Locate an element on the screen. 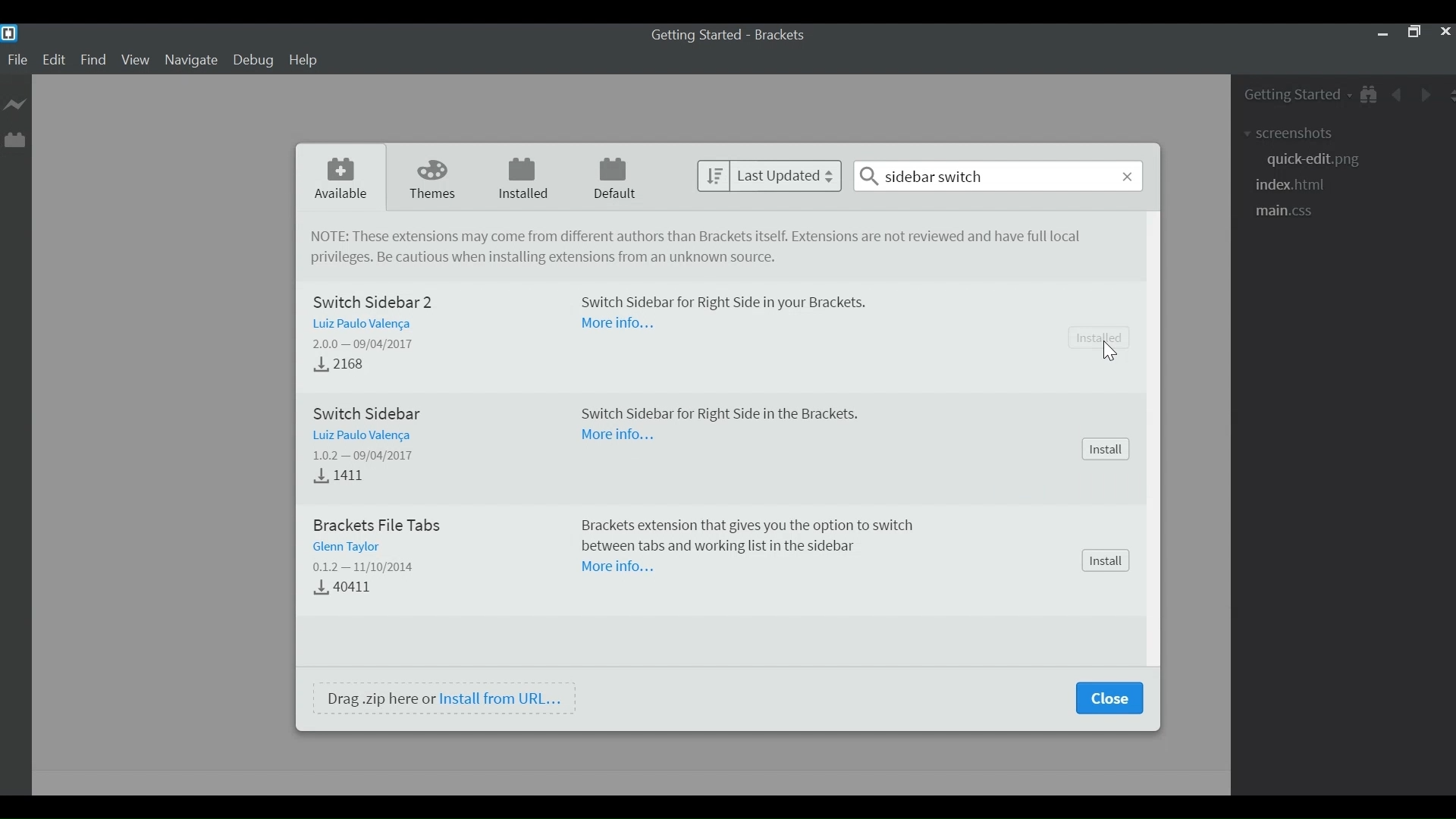 The width and height of the screenshot is (1456, 819). brackets file tabs is located at coordinates (371, 525).